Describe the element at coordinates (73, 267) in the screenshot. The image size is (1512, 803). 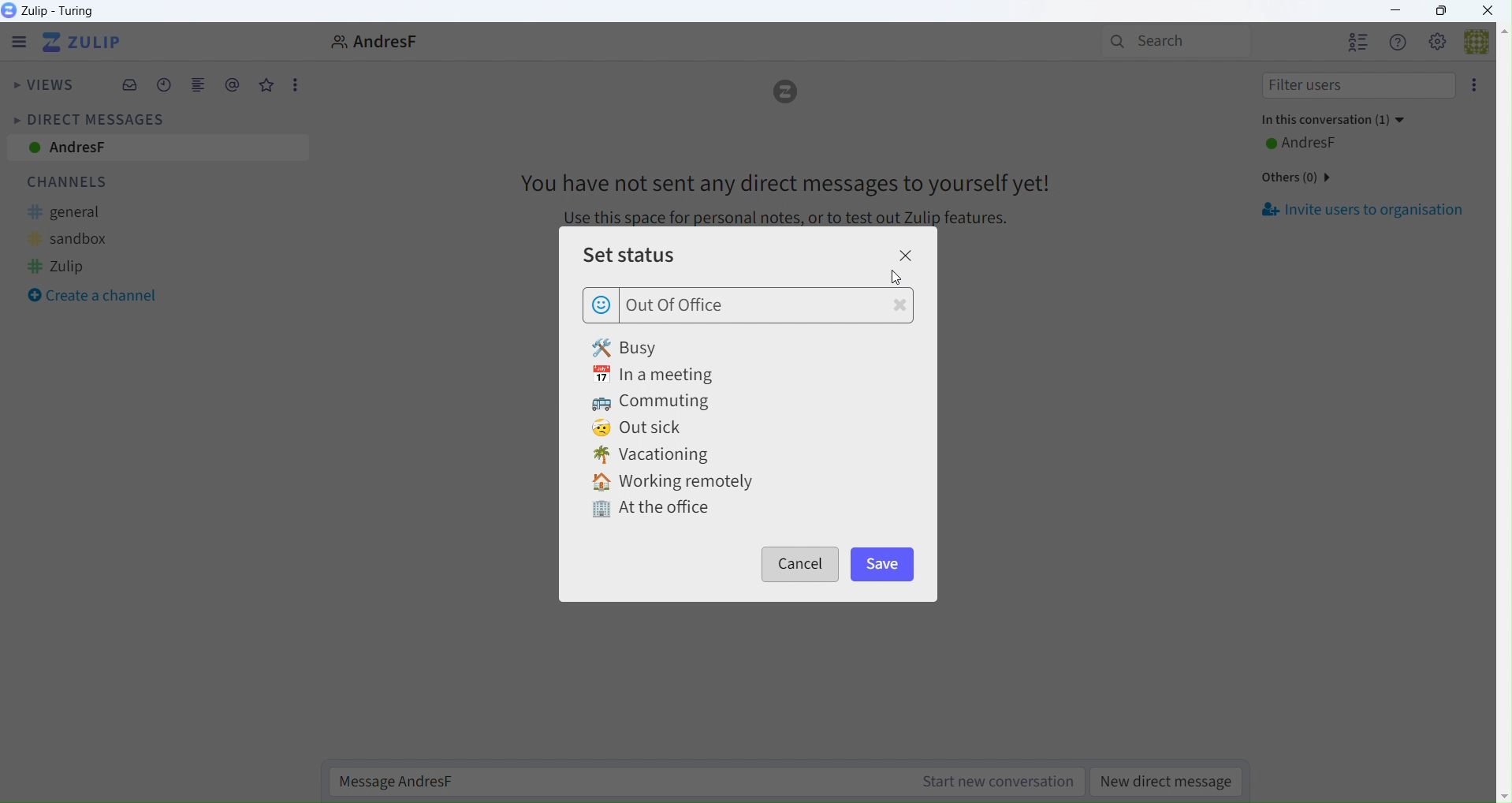
I see `Zulip` at that location.